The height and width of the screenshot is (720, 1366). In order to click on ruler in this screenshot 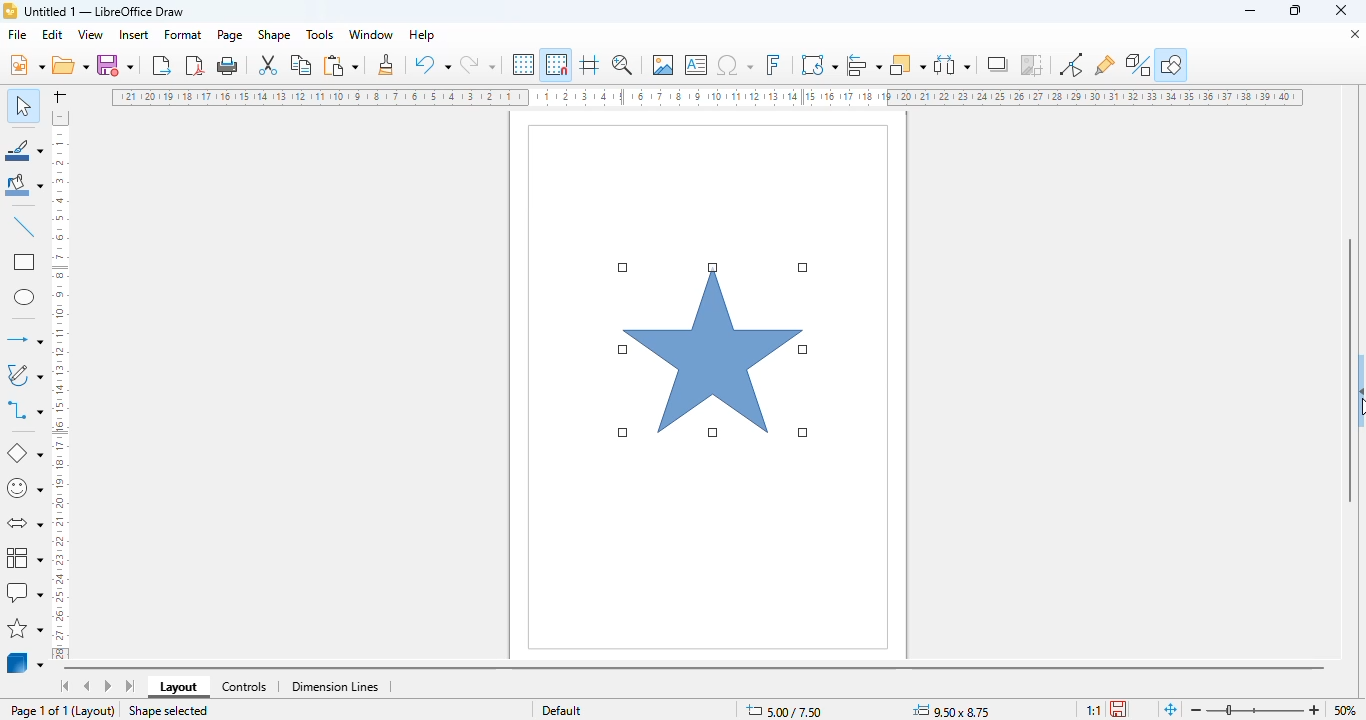, I will do `click(707, 97)`.